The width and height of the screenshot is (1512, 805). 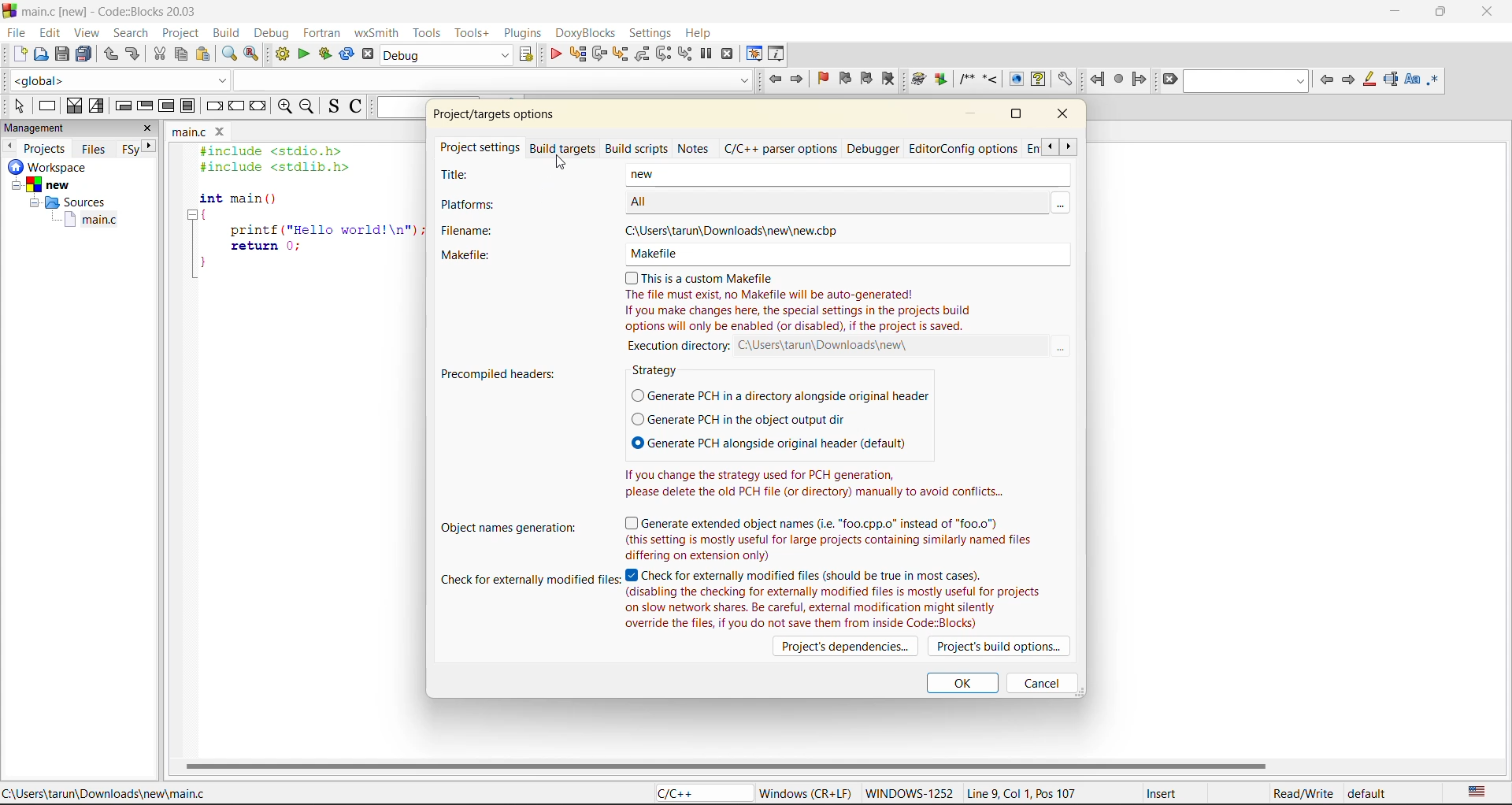 I want to click on break debugger, so click(x=707, y=54).